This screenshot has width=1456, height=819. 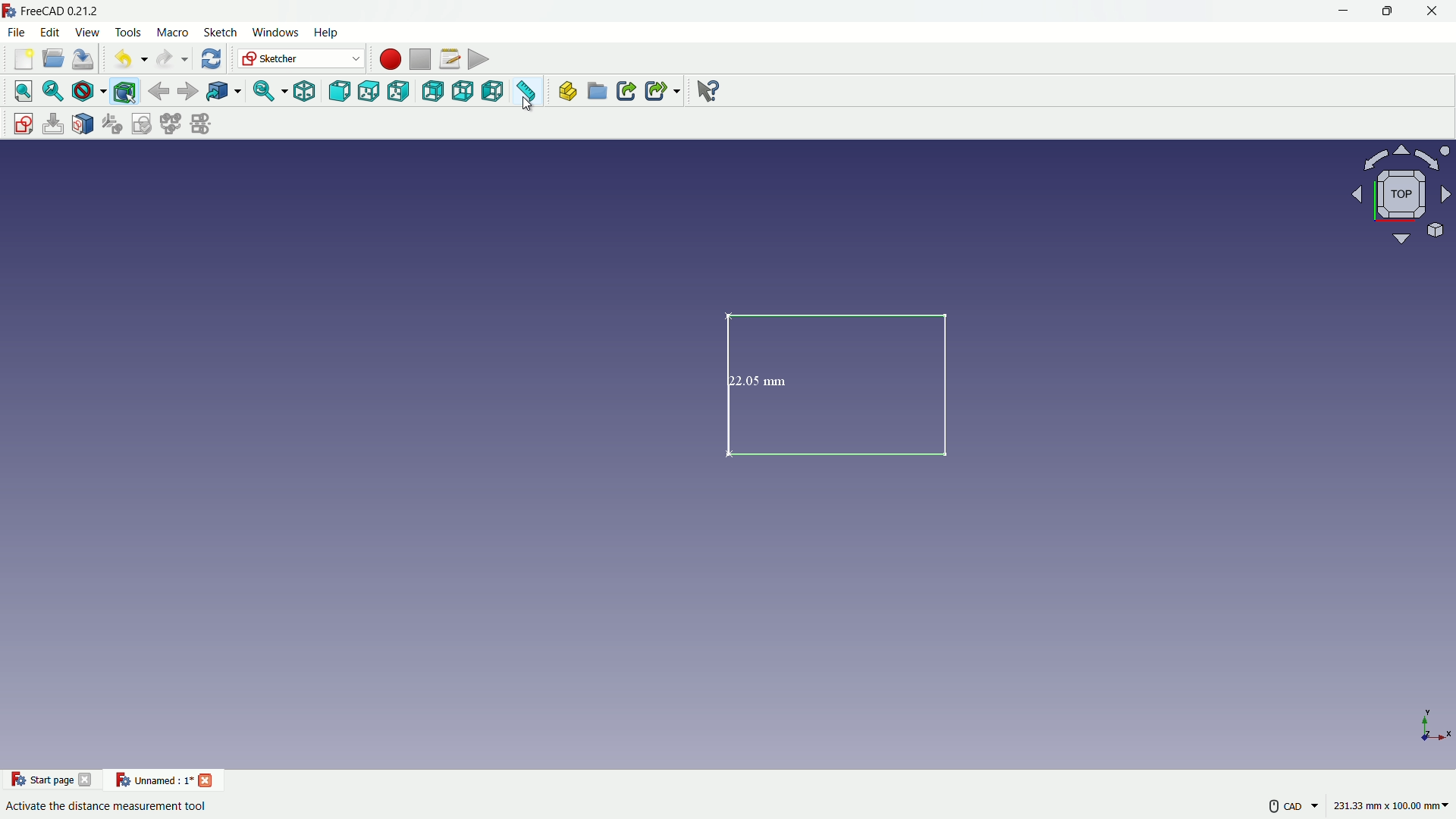 What do you see at coordinates (328, 33) in the screenshot?
I see `help menu` at bounding box center [328, 33].